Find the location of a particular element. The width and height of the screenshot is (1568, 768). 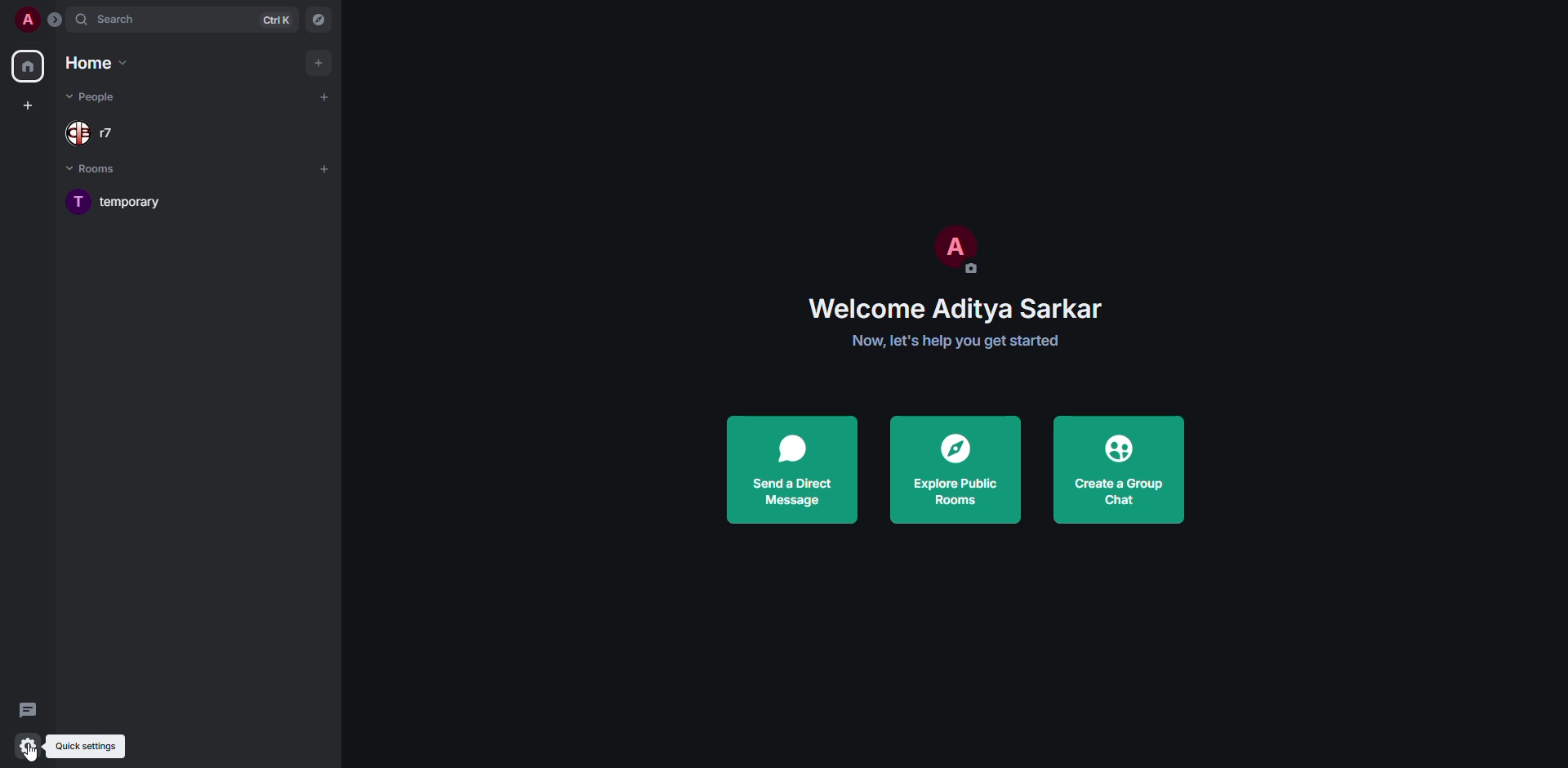

add is located at coordinates (326, 96).